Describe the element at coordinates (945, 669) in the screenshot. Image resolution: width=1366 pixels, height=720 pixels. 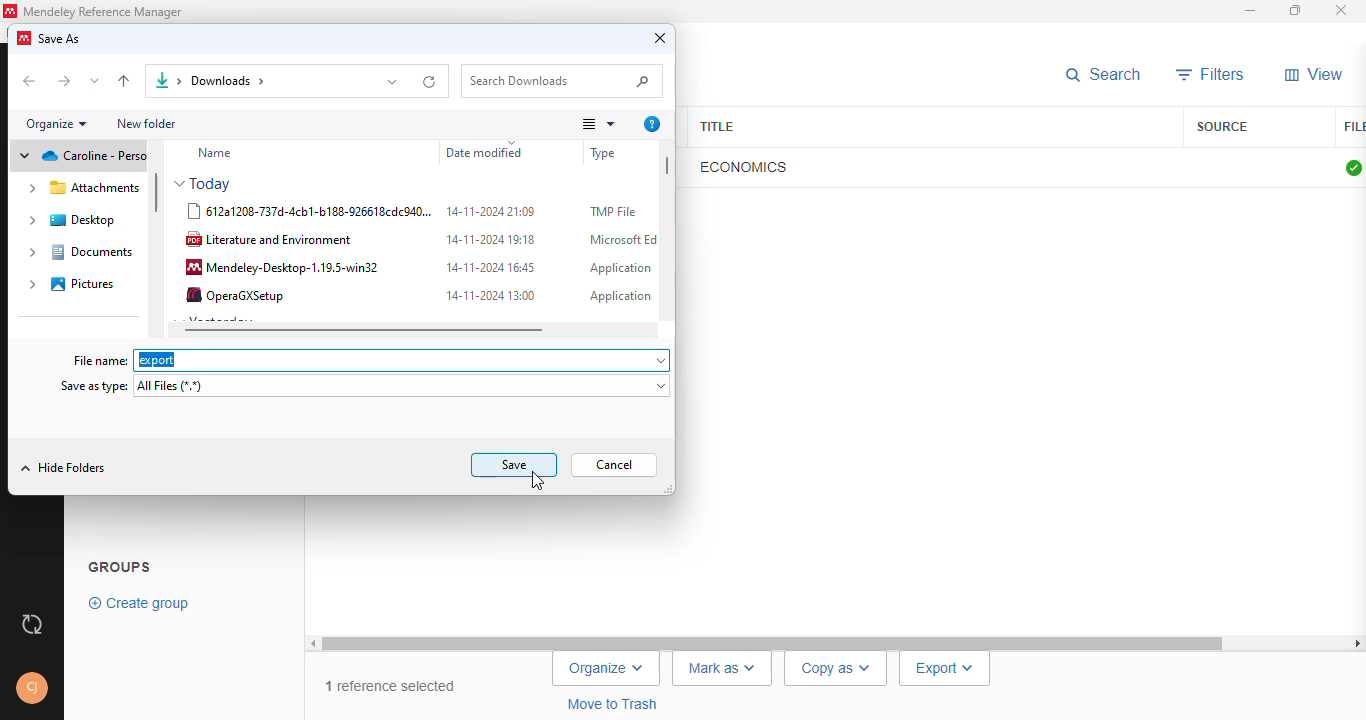
I see `export` at that location.